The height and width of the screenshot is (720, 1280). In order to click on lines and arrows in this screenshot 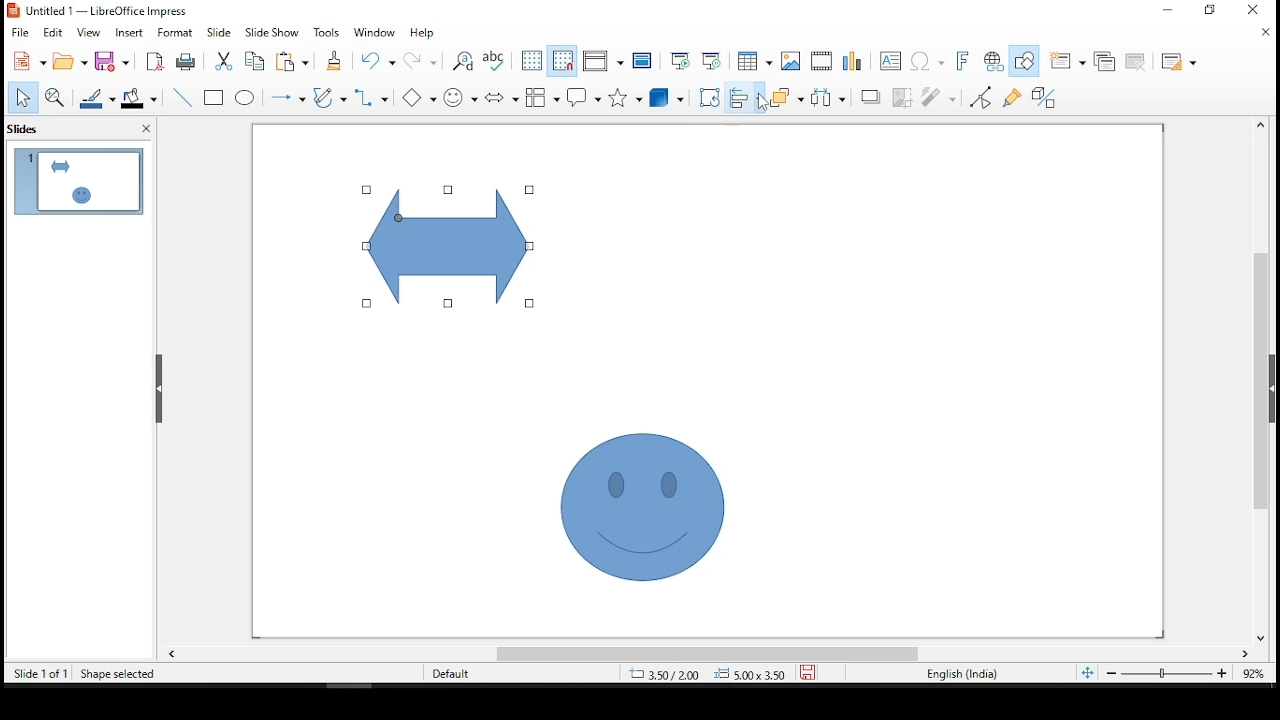, I will do `click(291, 97)`.